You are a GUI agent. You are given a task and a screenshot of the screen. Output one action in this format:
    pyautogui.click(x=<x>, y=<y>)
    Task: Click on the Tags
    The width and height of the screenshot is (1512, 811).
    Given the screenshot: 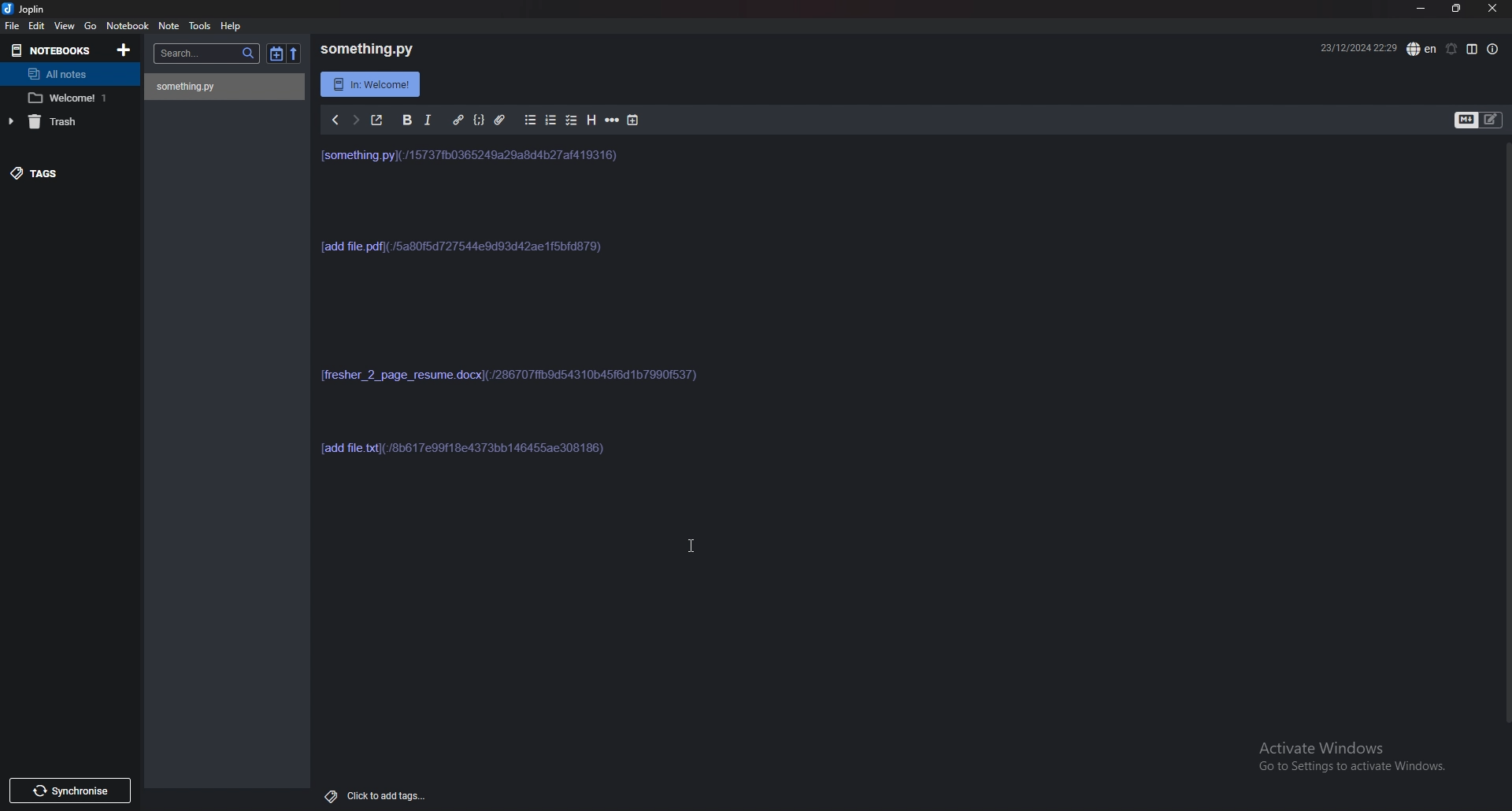 What is the action you would take?
    pyautogui.click(x=69, y=177)
    